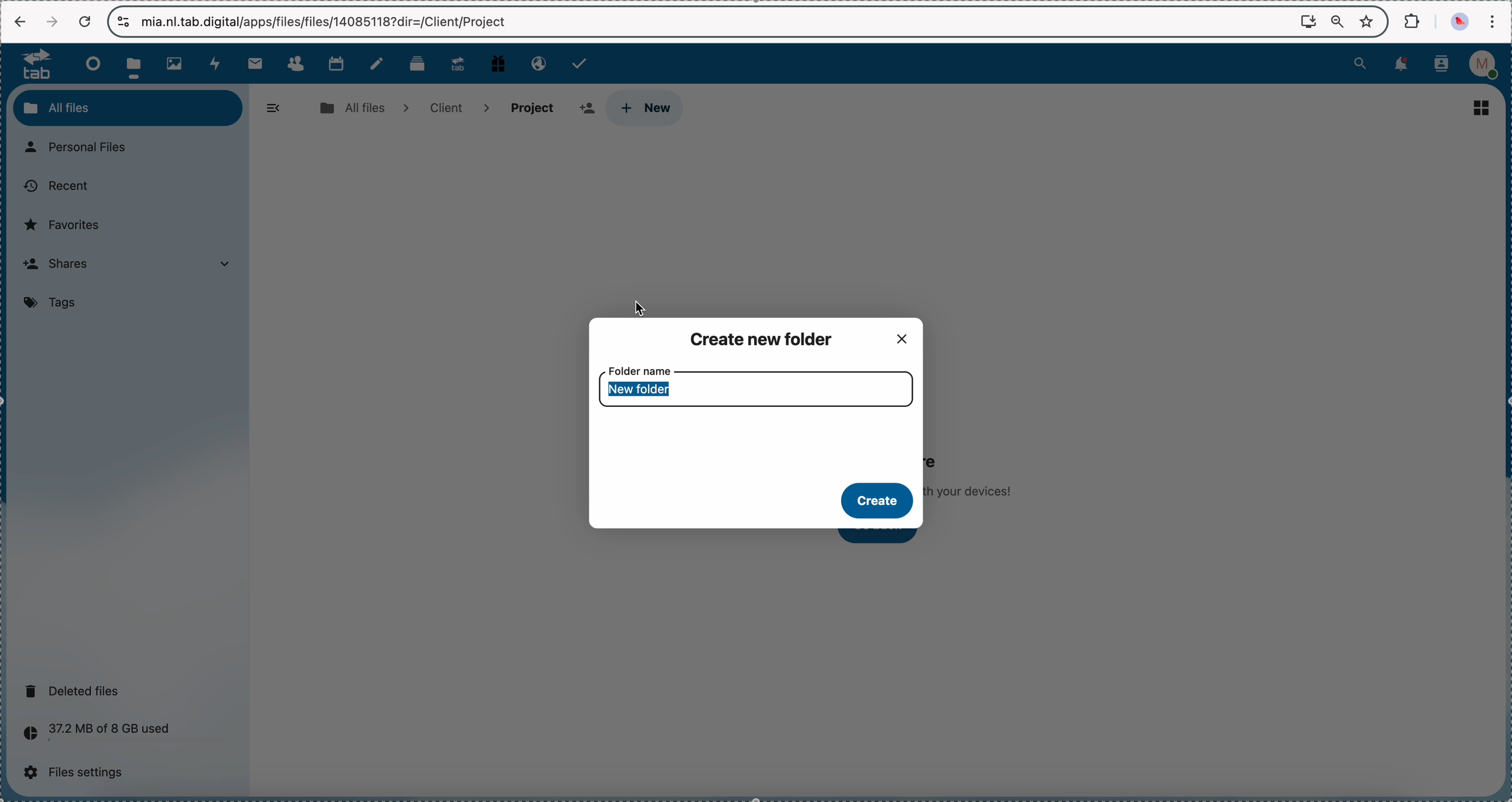  What do you see at coordinates (1462, 22) in the screenshot?
I see `profile picture` at bounding box center [1462, 22].